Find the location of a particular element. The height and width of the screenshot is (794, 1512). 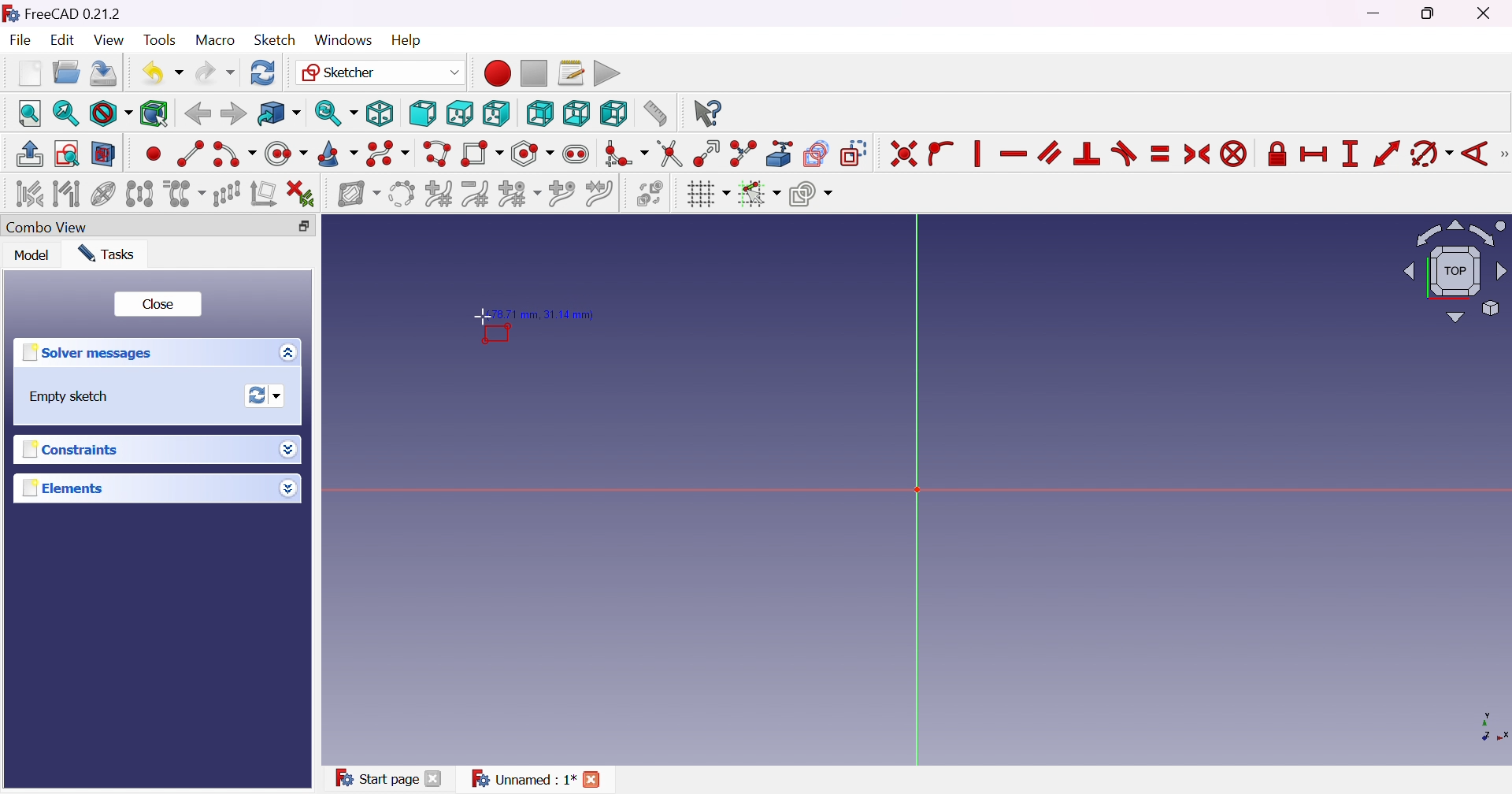

Model is located at coordinates (33, 255).